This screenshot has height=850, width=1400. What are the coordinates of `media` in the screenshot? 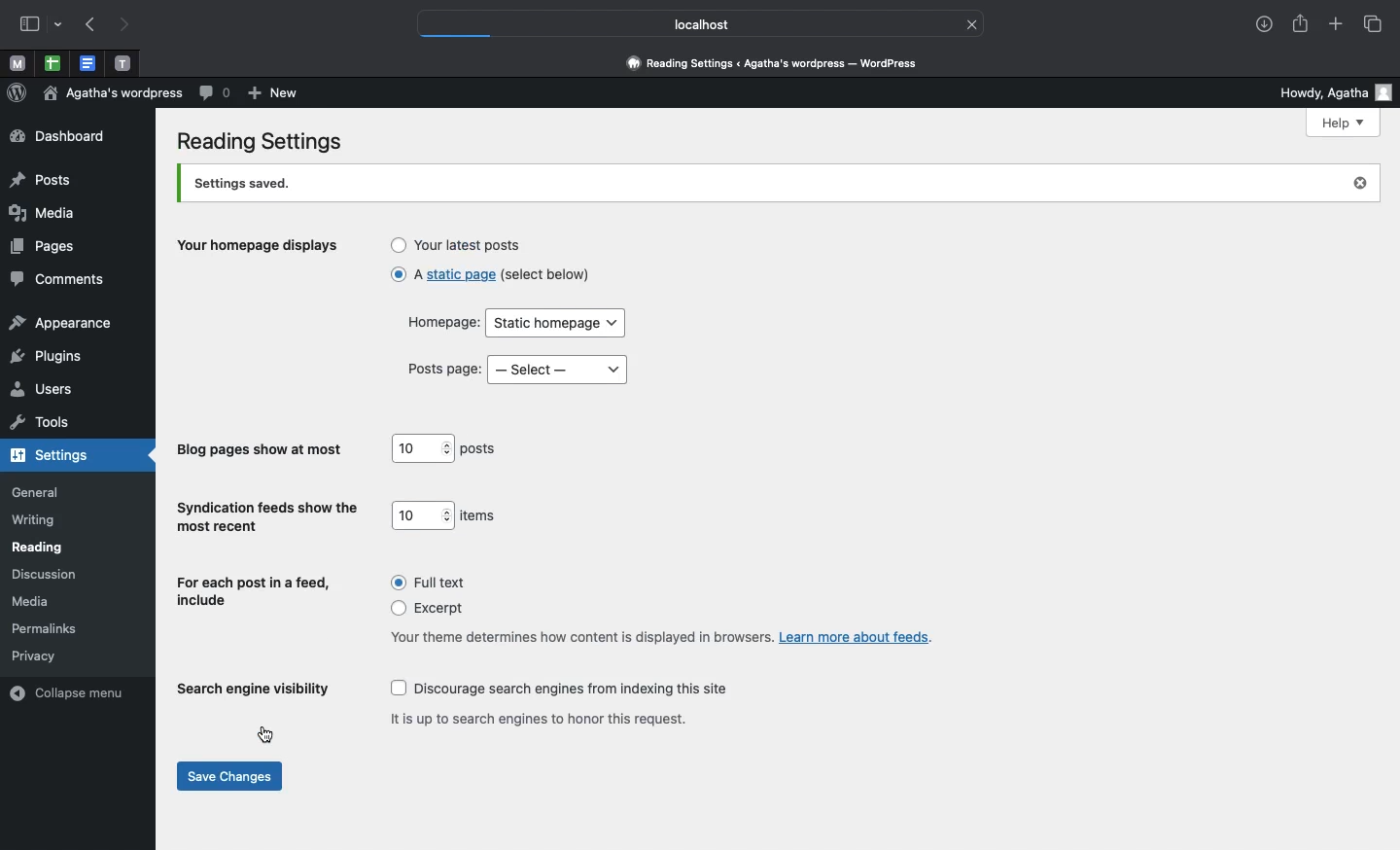 It's located at (34, 601).